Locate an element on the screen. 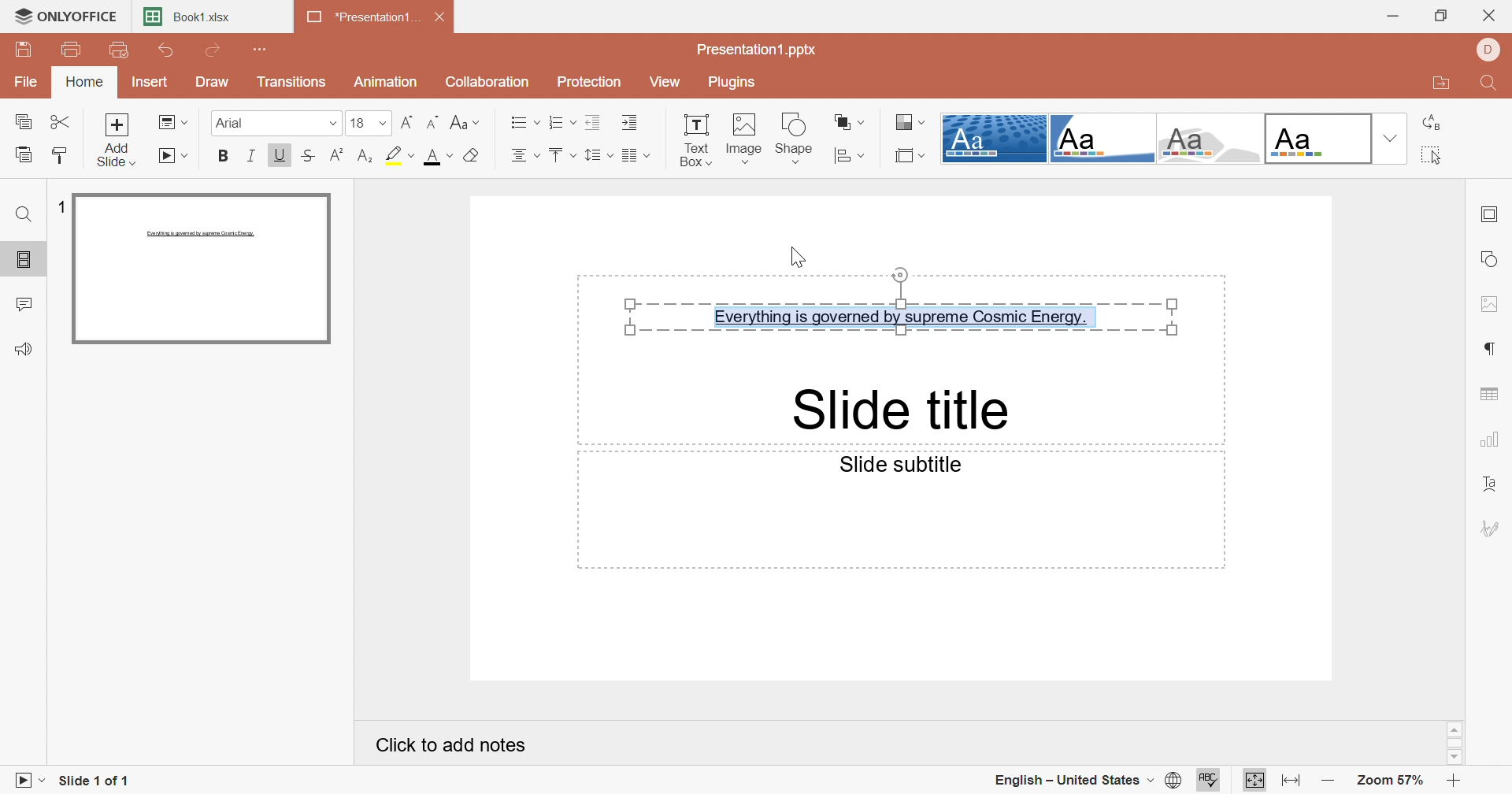 The width and height of the screenshot is (1512, 794). Zoom 57% is located at coordinates (1388, 780).